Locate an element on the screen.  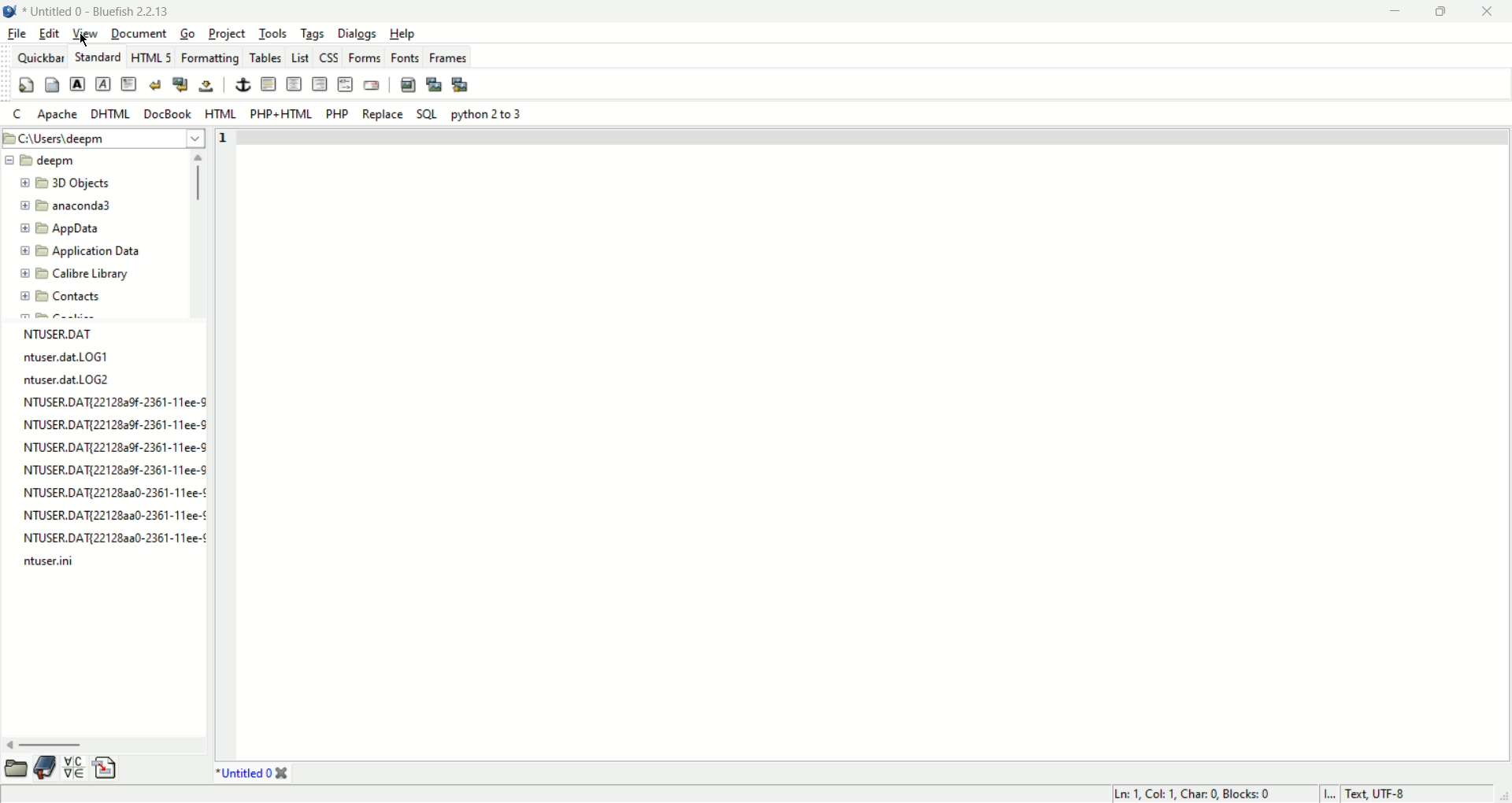
python 2 to 3 is located at coordinates (487, 114).